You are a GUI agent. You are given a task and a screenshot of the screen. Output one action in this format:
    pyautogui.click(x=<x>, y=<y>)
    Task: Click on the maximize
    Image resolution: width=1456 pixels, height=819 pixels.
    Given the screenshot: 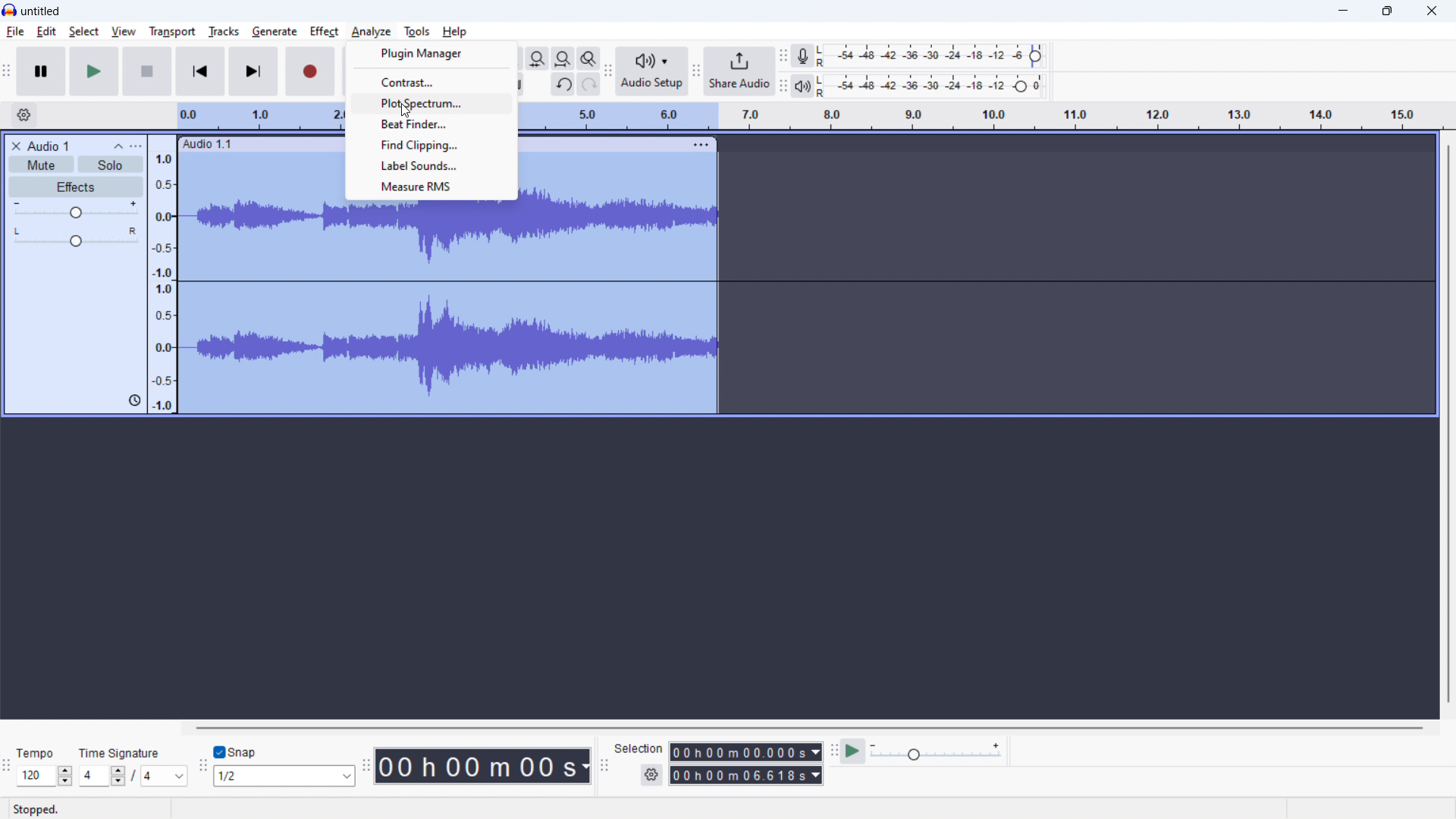 What is the action you would take?
    pyautogui.click(x=1386, y=11)
    